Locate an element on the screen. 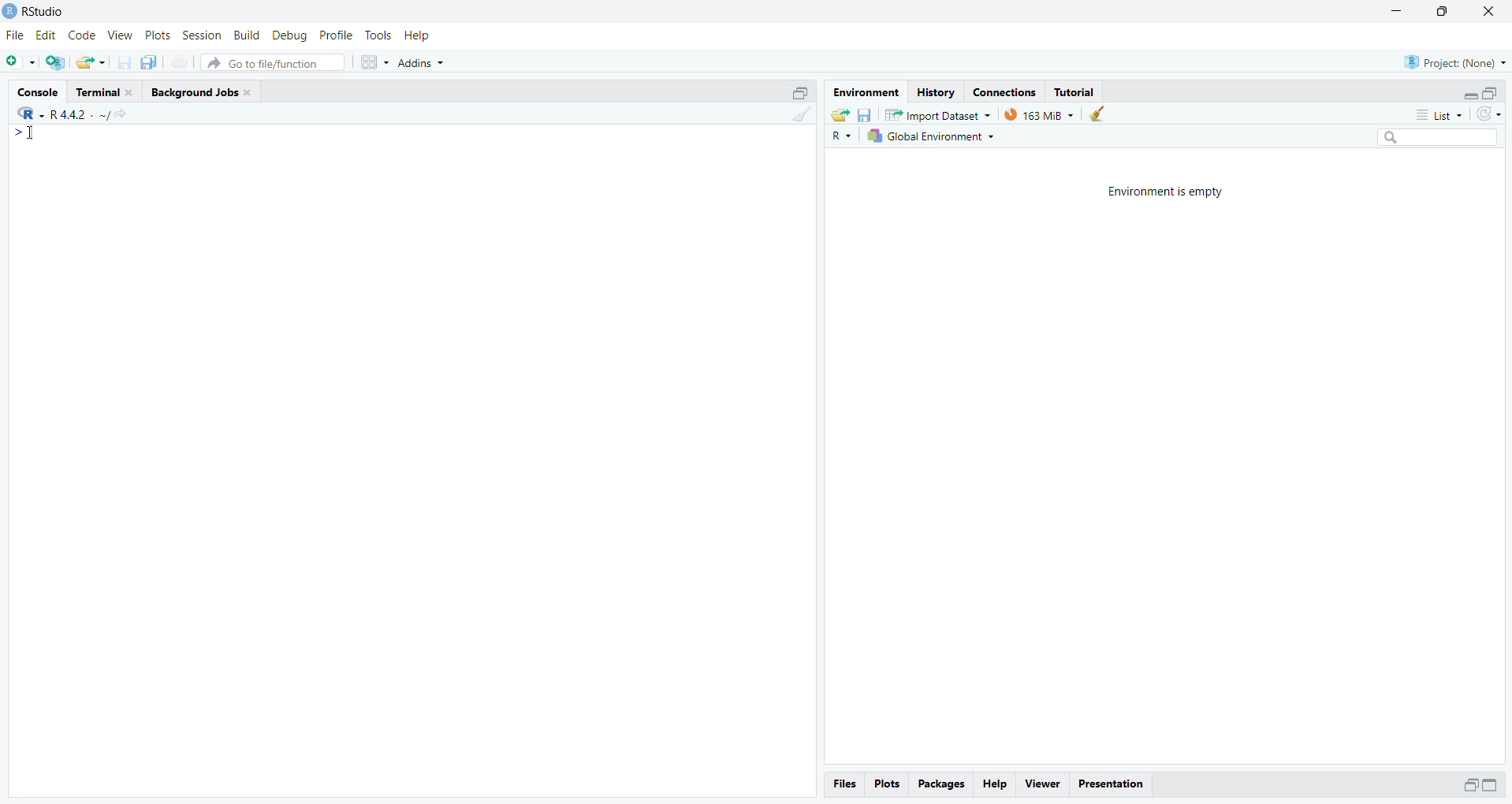 The width and height of the screenshot is (1512, 804). close is located at coordinates (131, 92).